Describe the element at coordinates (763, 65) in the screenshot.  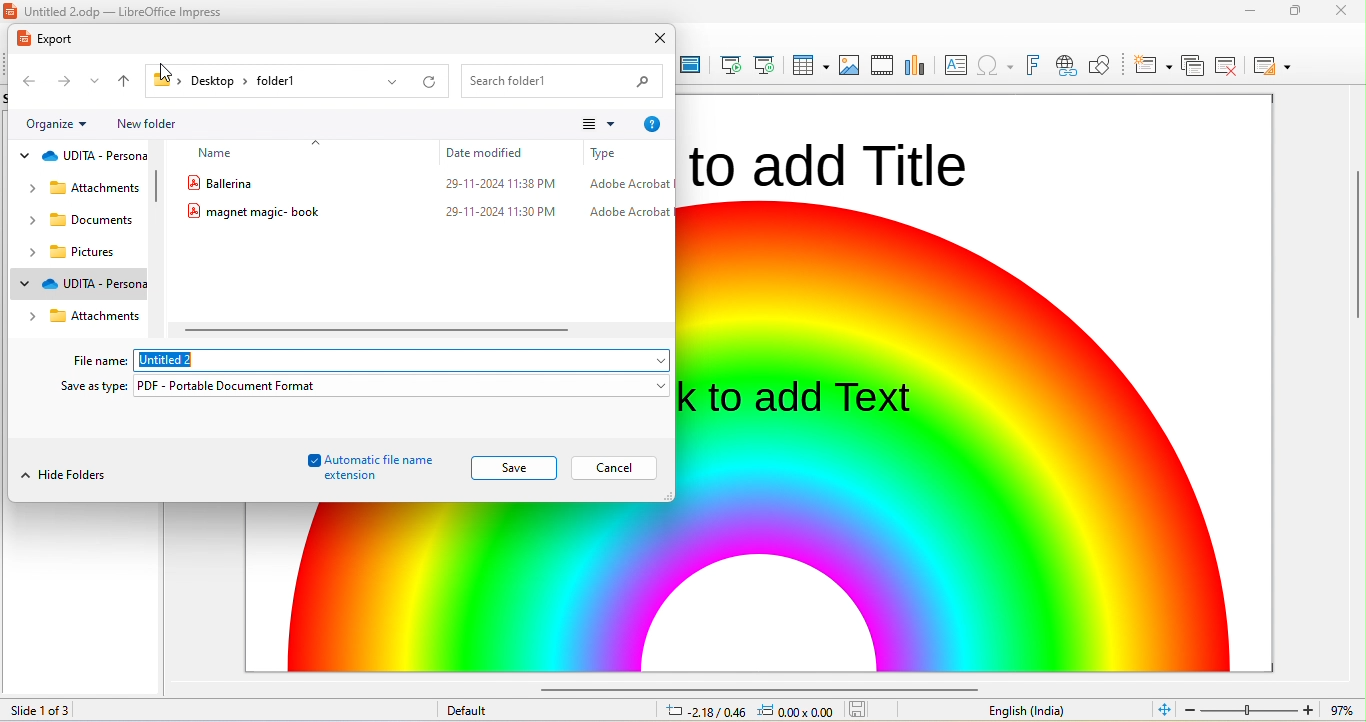
I see `start from current ` at that location.